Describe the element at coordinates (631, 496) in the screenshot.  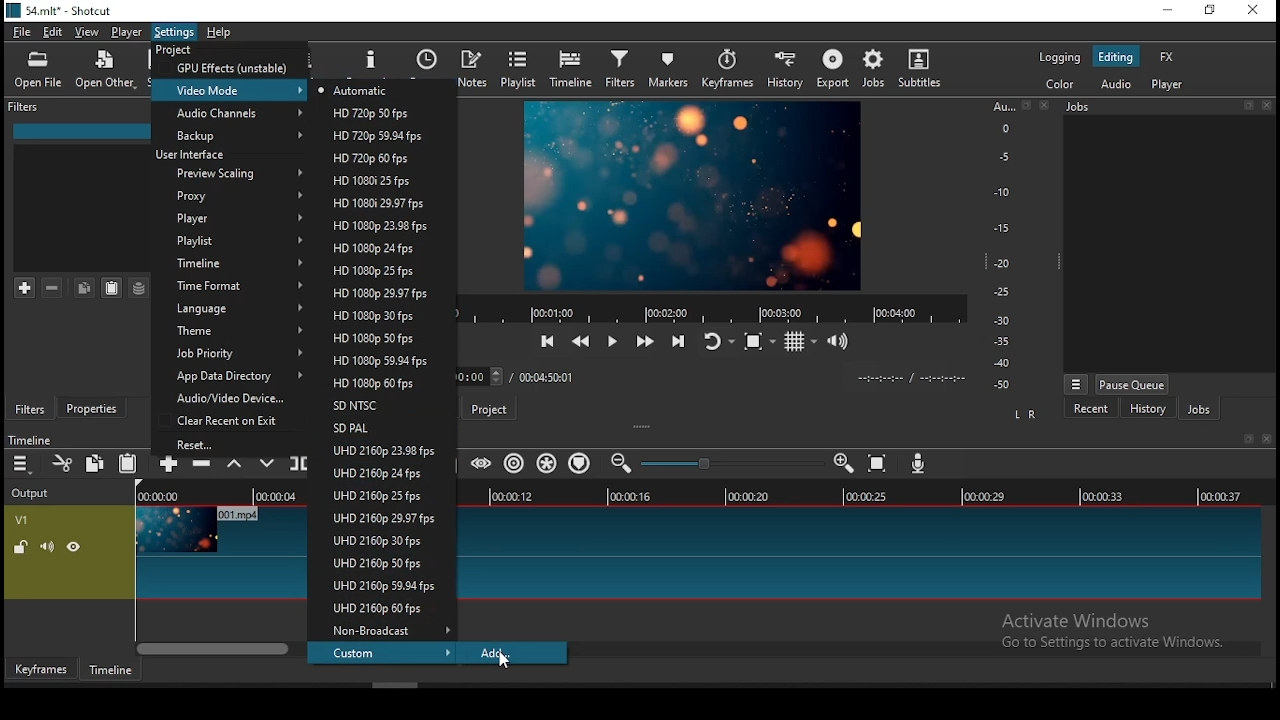
I see `00:00:16` at that location.